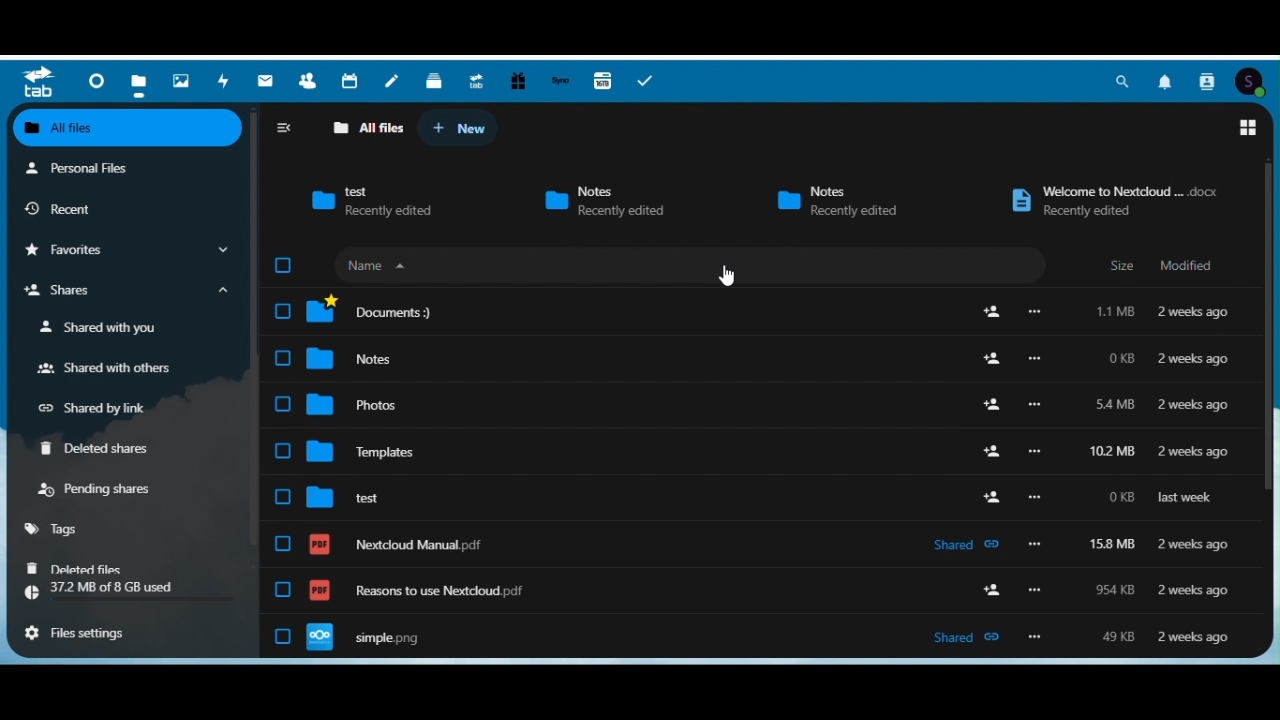 This screenshot has height=720, width=1280. Describe the element at coordinates (253, 329) in the screenshot. I see `Vertical scrollbar` at that location.